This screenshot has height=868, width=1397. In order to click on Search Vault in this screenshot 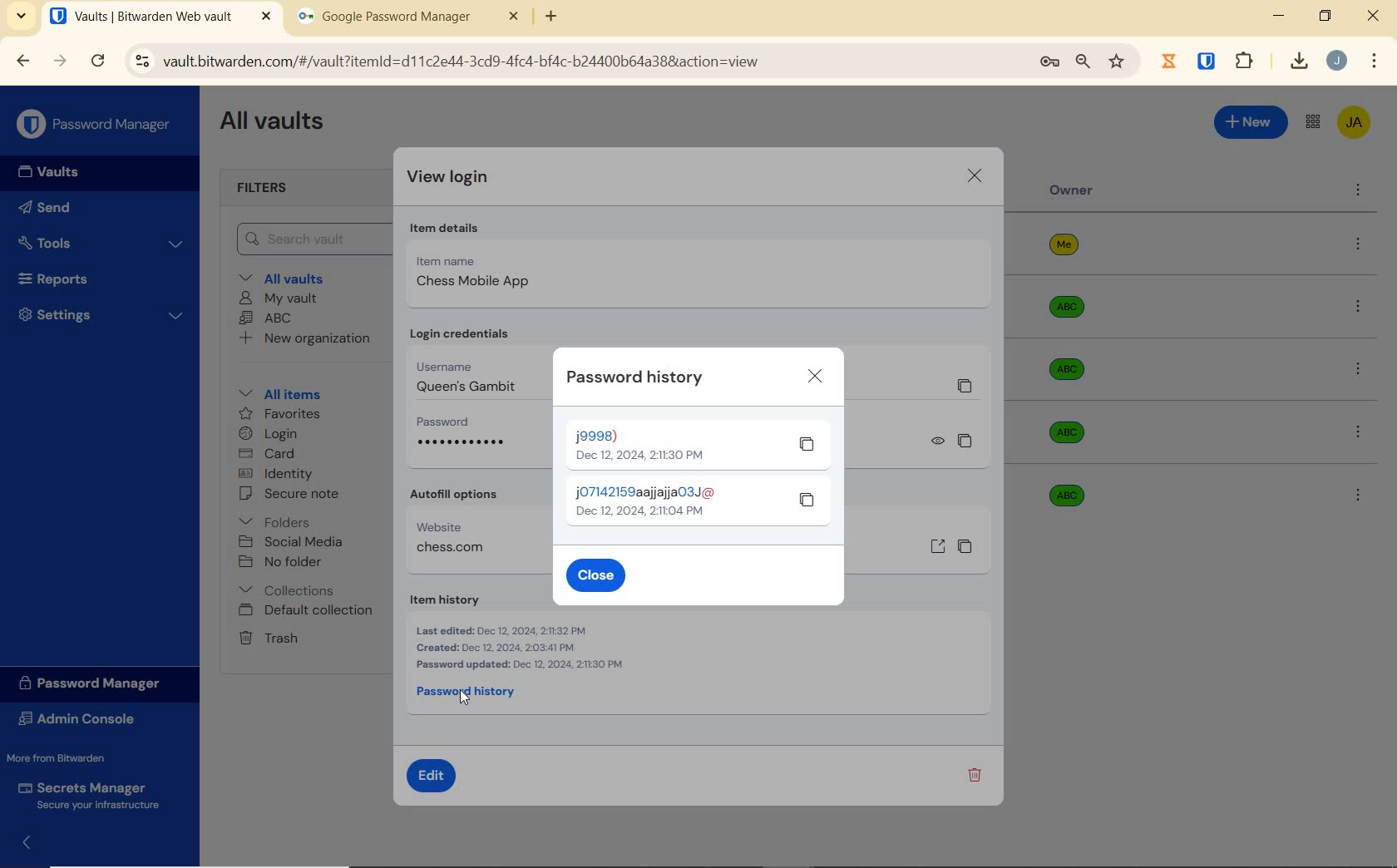, I will do `click(304, 239)`.